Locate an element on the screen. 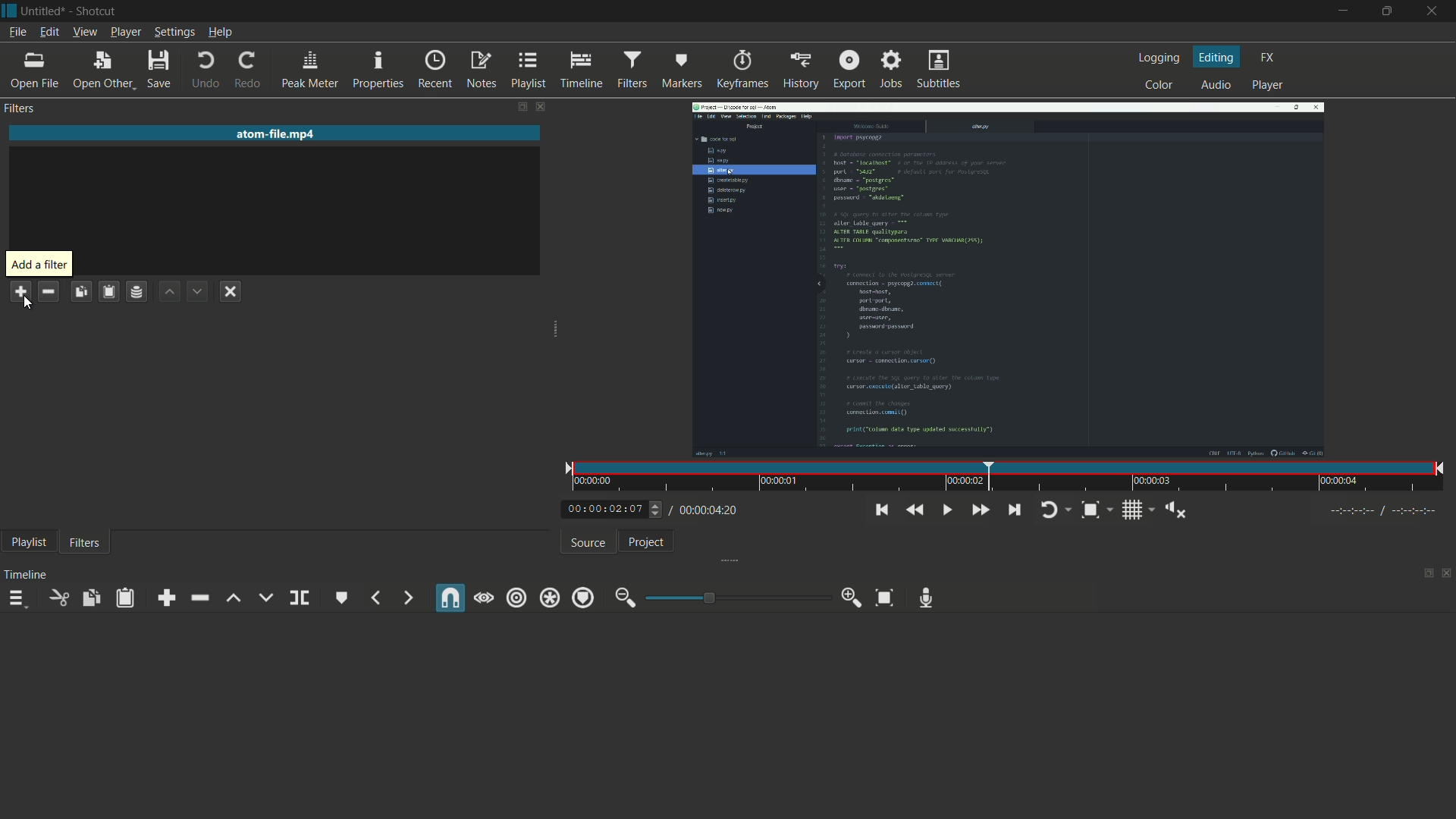 This screenshot has height=819, width=1456. remove a filter is located at coordinates (50, 293).